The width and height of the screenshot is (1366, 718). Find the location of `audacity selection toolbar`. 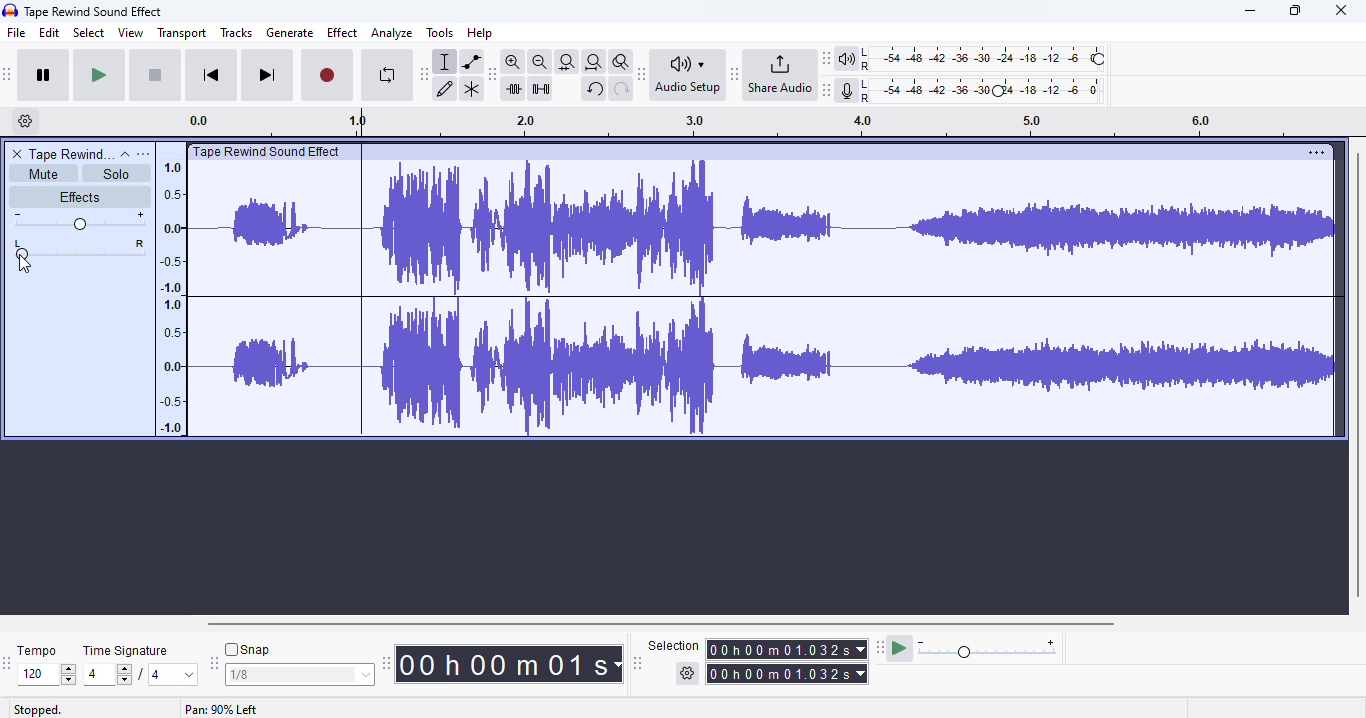

audacity selection toolbar is located at coordinates (637, 663).